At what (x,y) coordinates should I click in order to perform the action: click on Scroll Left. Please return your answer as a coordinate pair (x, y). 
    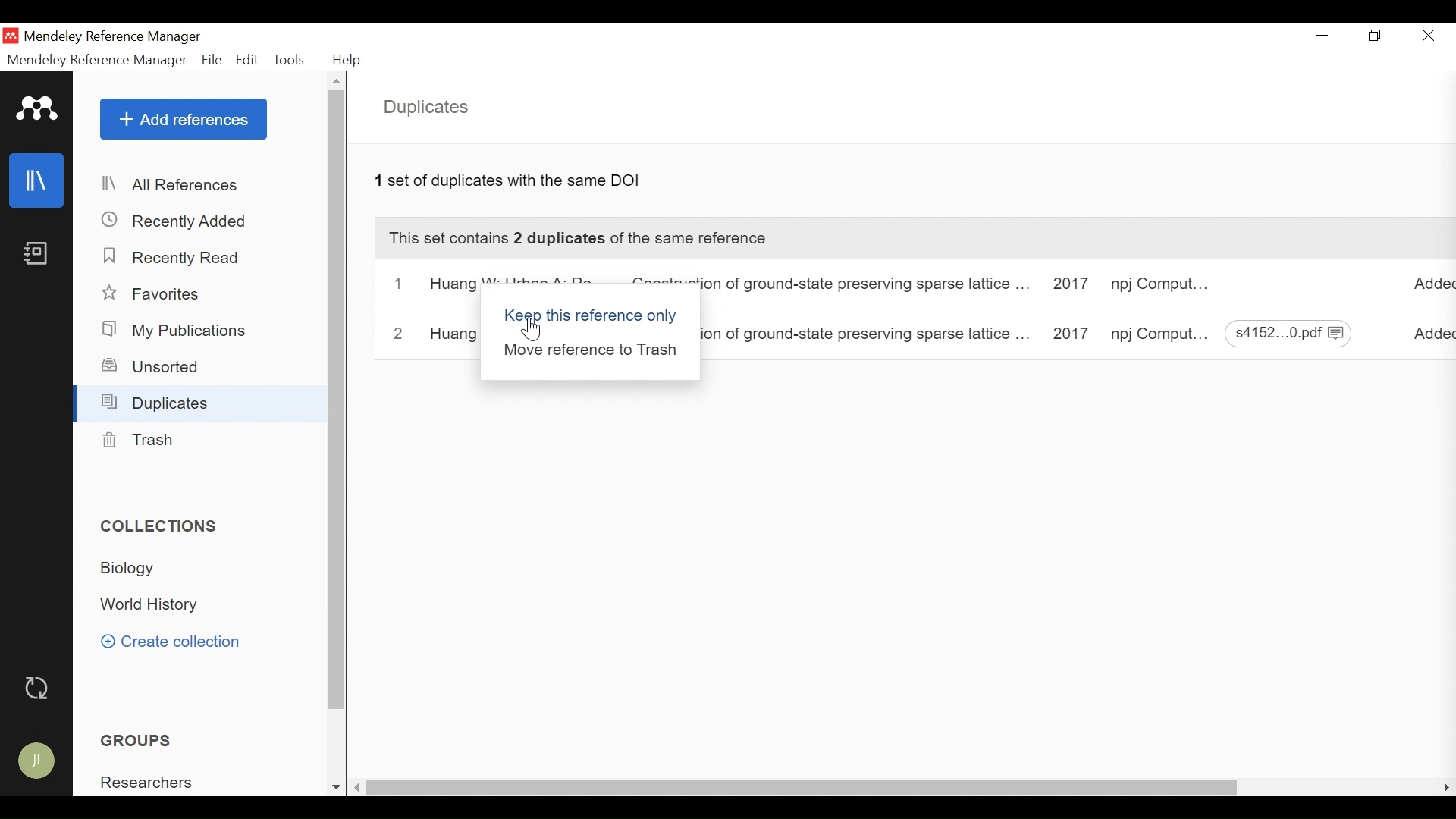
    Looking at the image, I should click on (356, 789).